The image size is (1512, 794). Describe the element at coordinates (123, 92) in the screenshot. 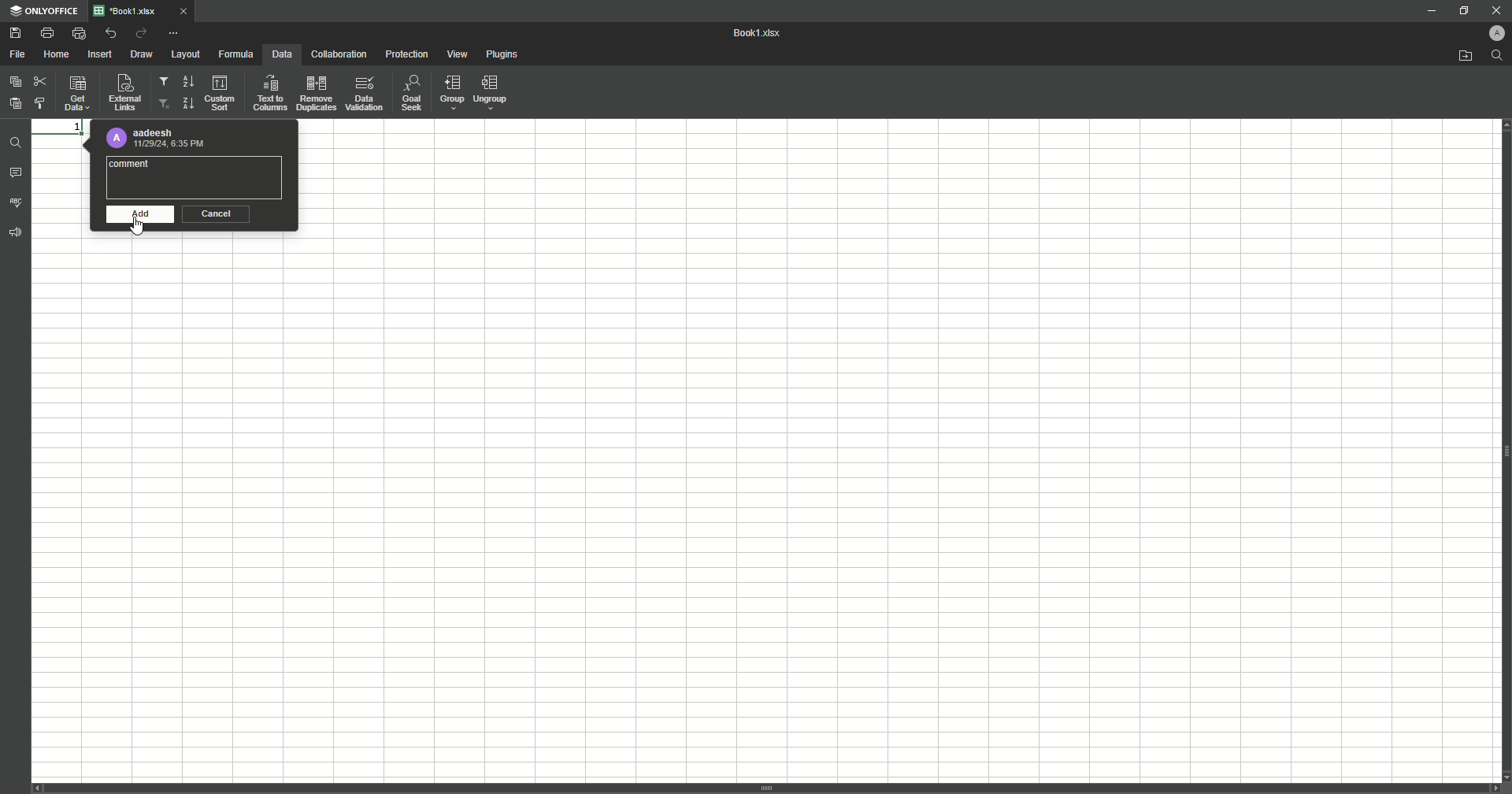

I see `External Links` at that location.